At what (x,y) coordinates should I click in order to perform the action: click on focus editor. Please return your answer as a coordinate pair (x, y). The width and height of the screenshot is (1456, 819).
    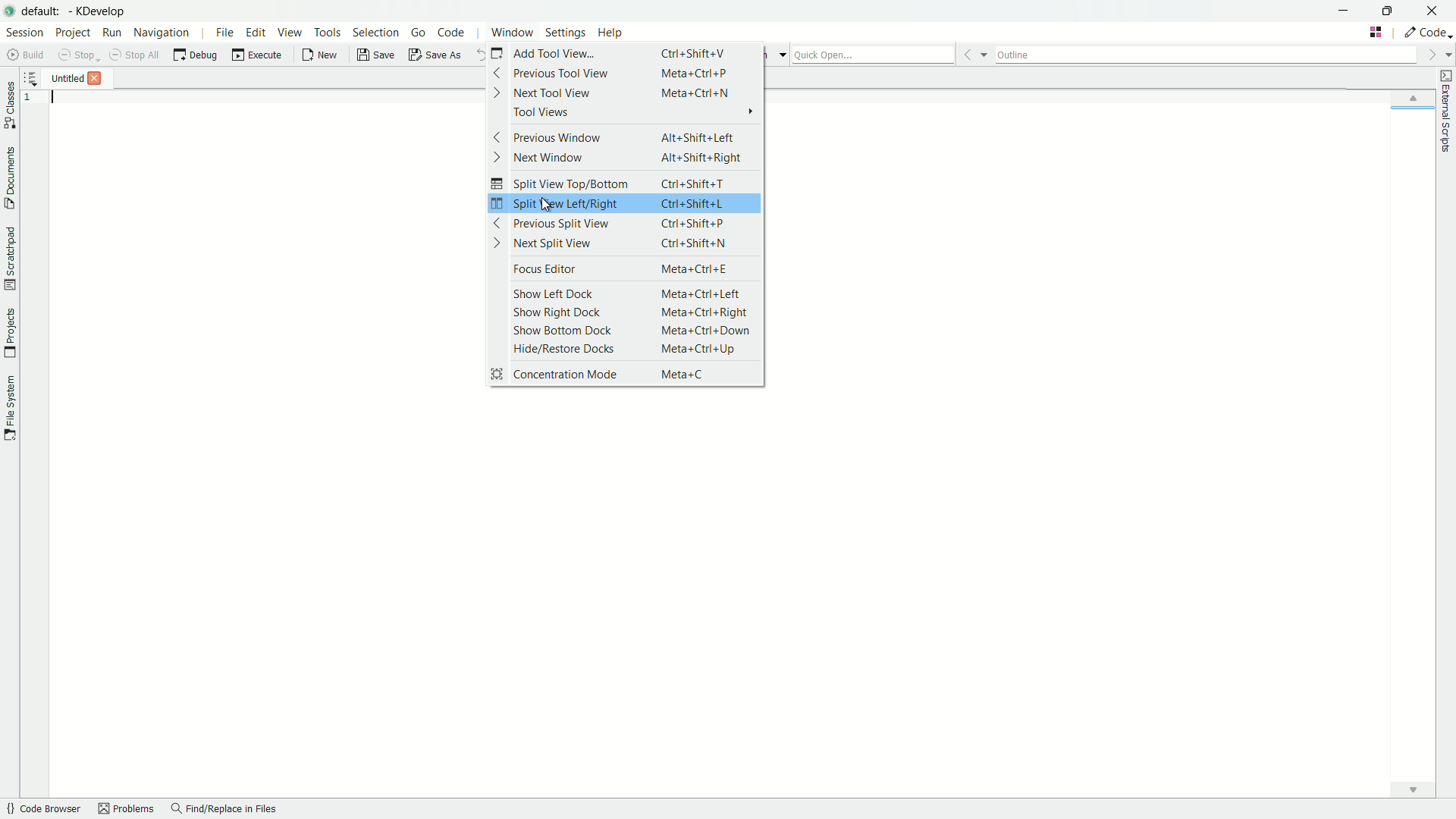
    Looking at the image, I should click on (574, 267).